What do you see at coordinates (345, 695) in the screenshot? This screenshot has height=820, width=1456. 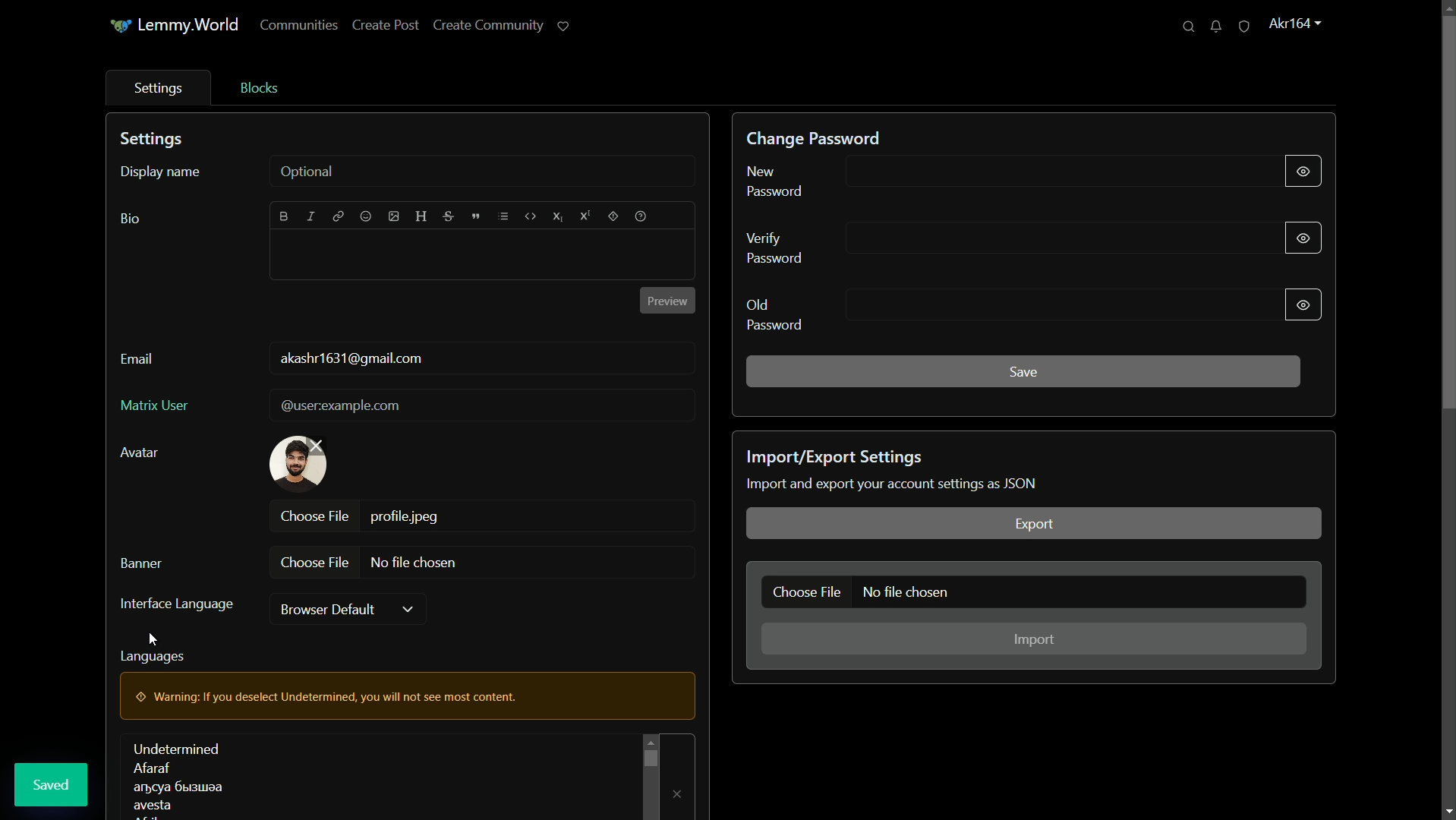 I see `warning pop up` at bounding box center [345, 695].